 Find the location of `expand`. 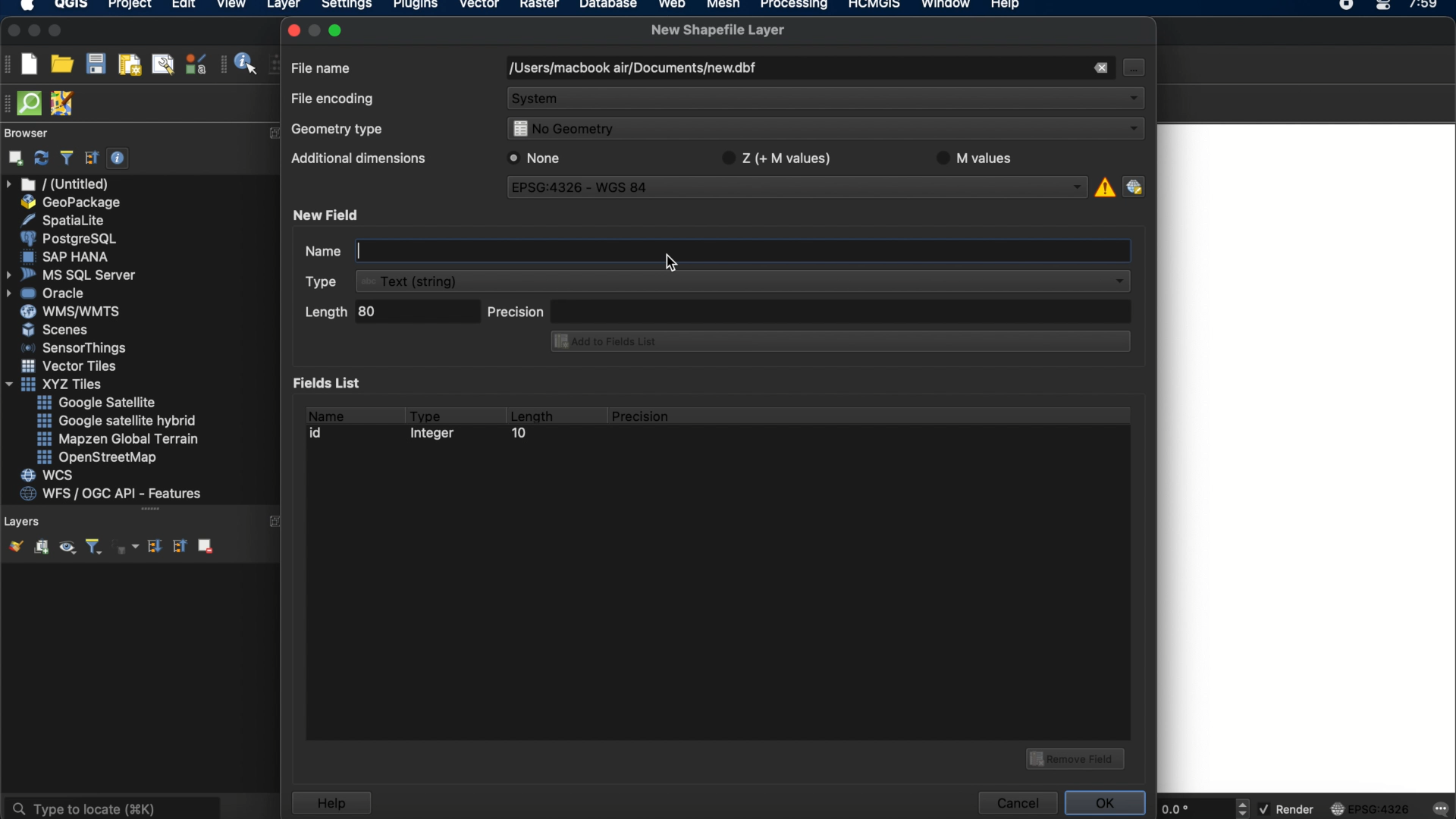

expand is located at coordinates (277, 523).